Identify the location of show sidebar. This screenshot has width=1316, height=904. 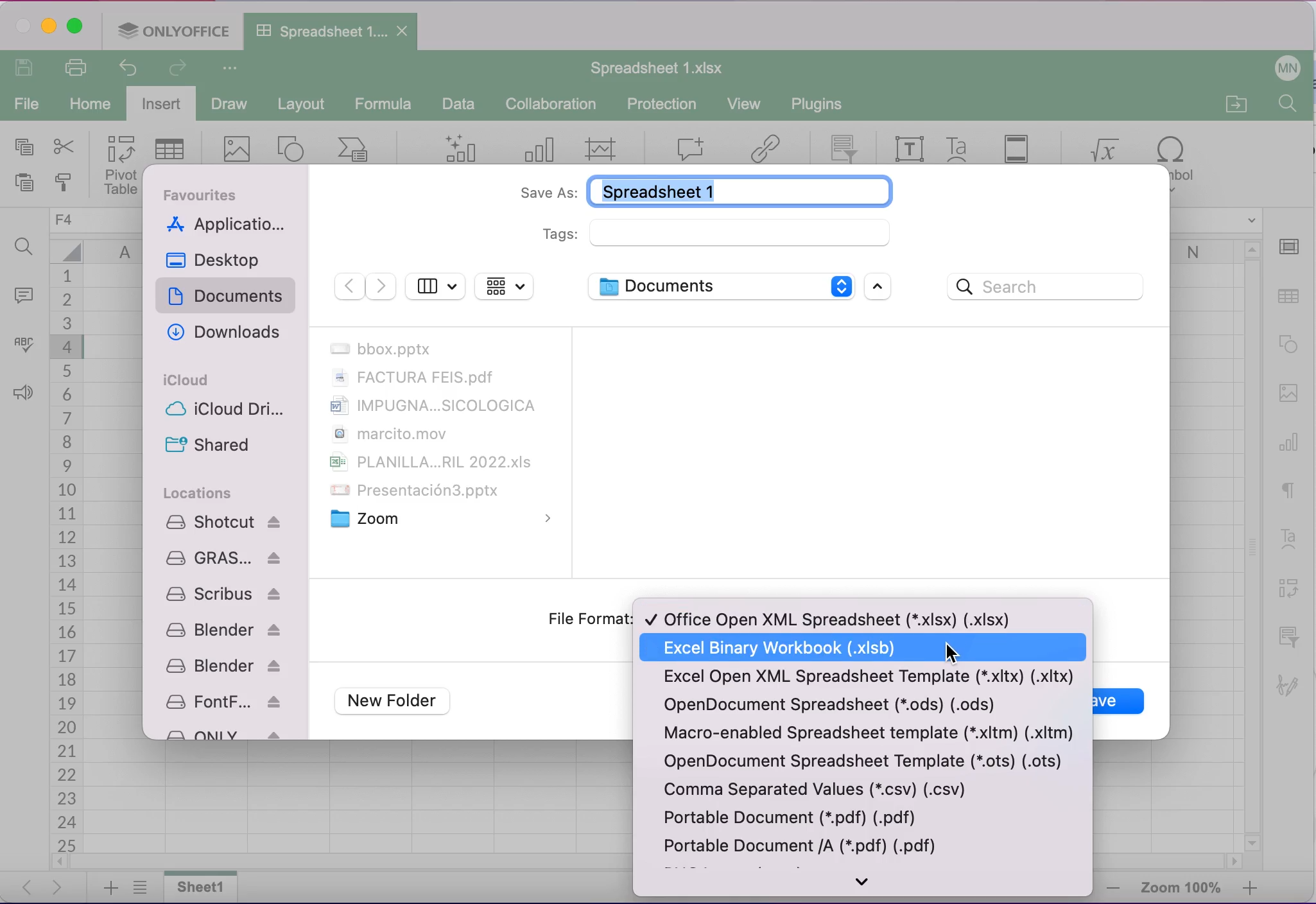
(435, 284).